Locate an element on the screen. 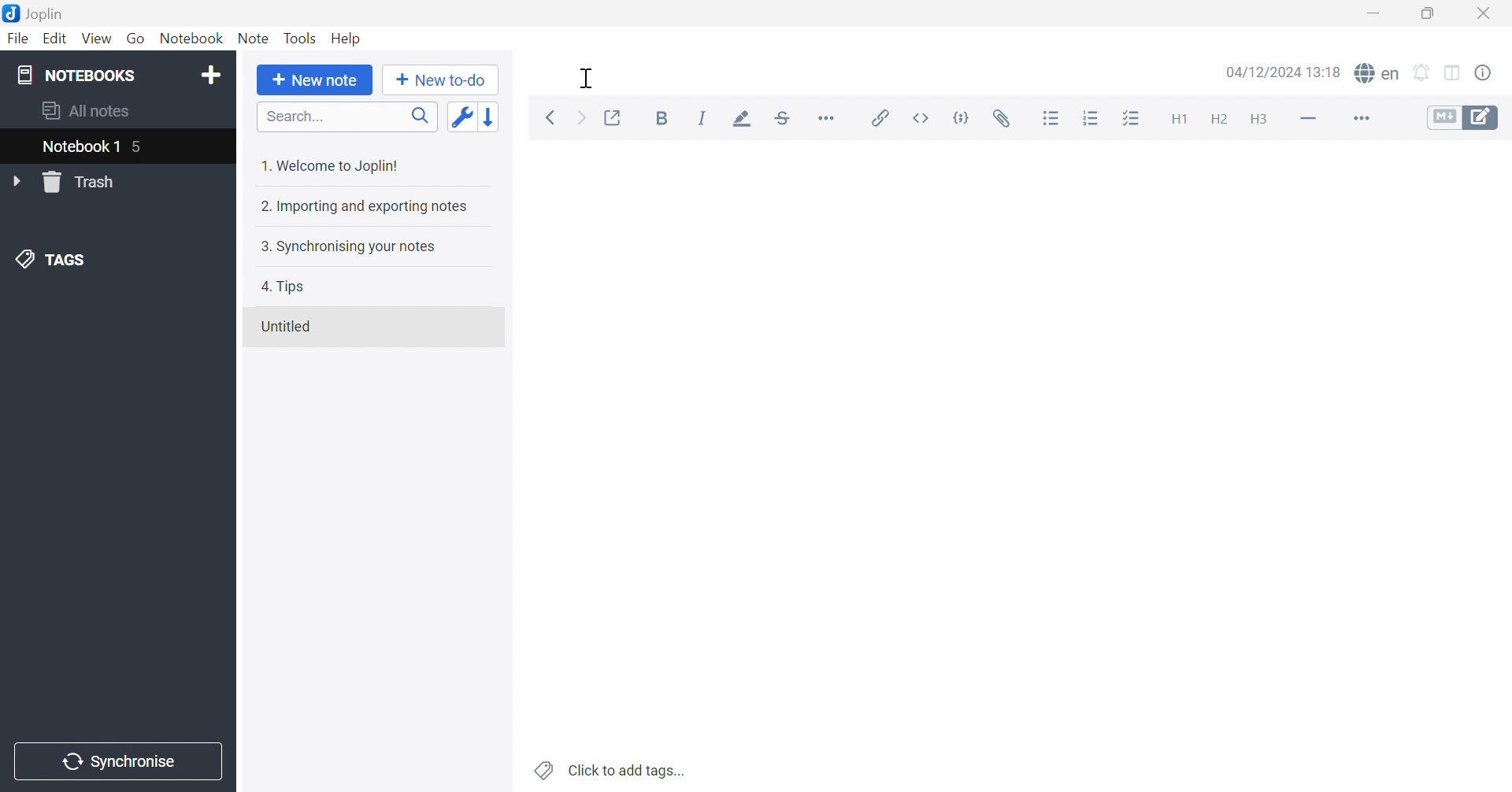  set alarm is located at coordinates (1425, 76).